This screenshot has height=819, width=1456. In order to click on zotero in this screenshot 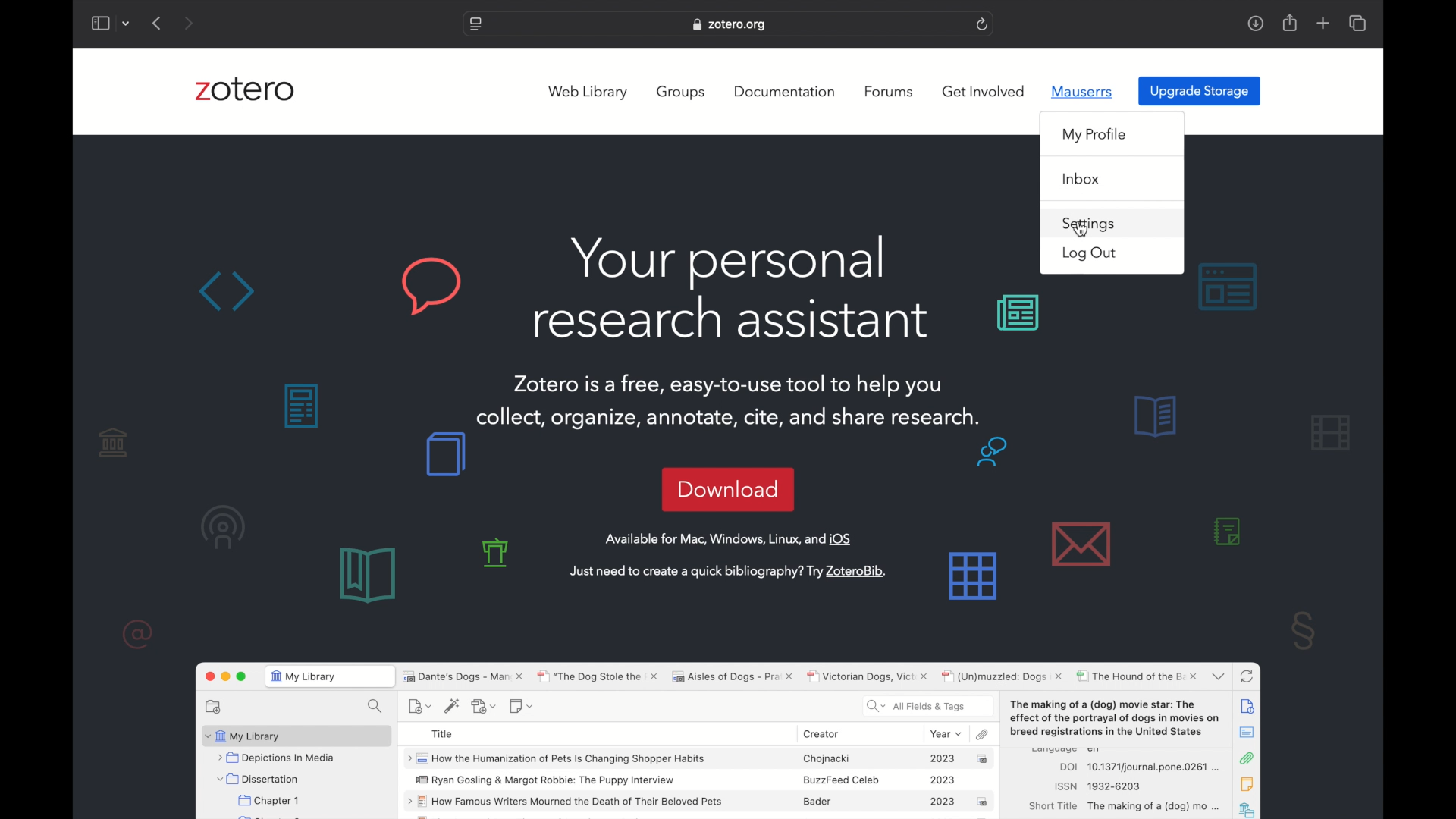, I will do `click(245, 92)`.